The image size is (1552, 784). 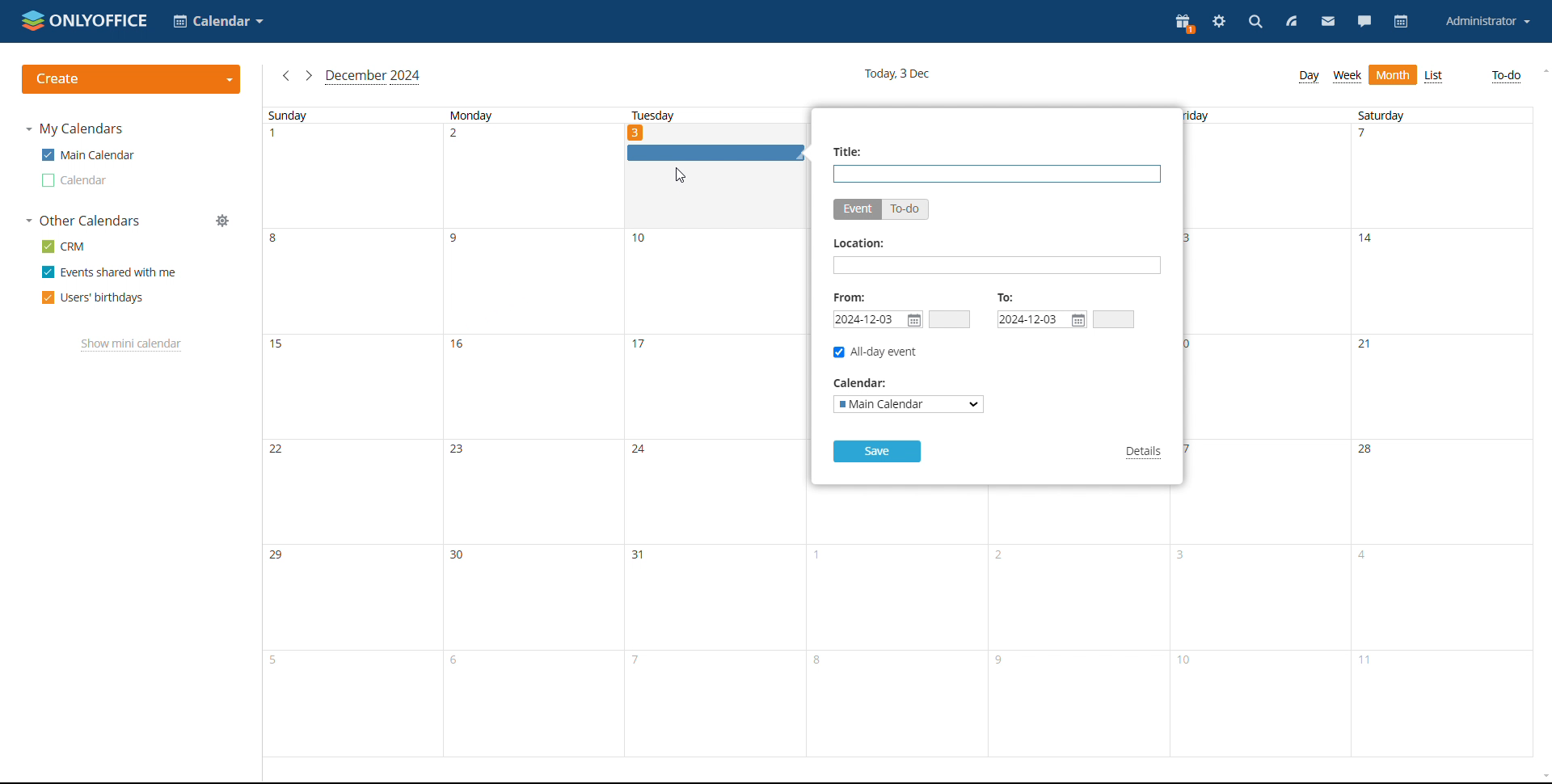 What do you see at coordinates (678, 174) in the screenshot?
I see `cursor` at bounding box center [678, 174].